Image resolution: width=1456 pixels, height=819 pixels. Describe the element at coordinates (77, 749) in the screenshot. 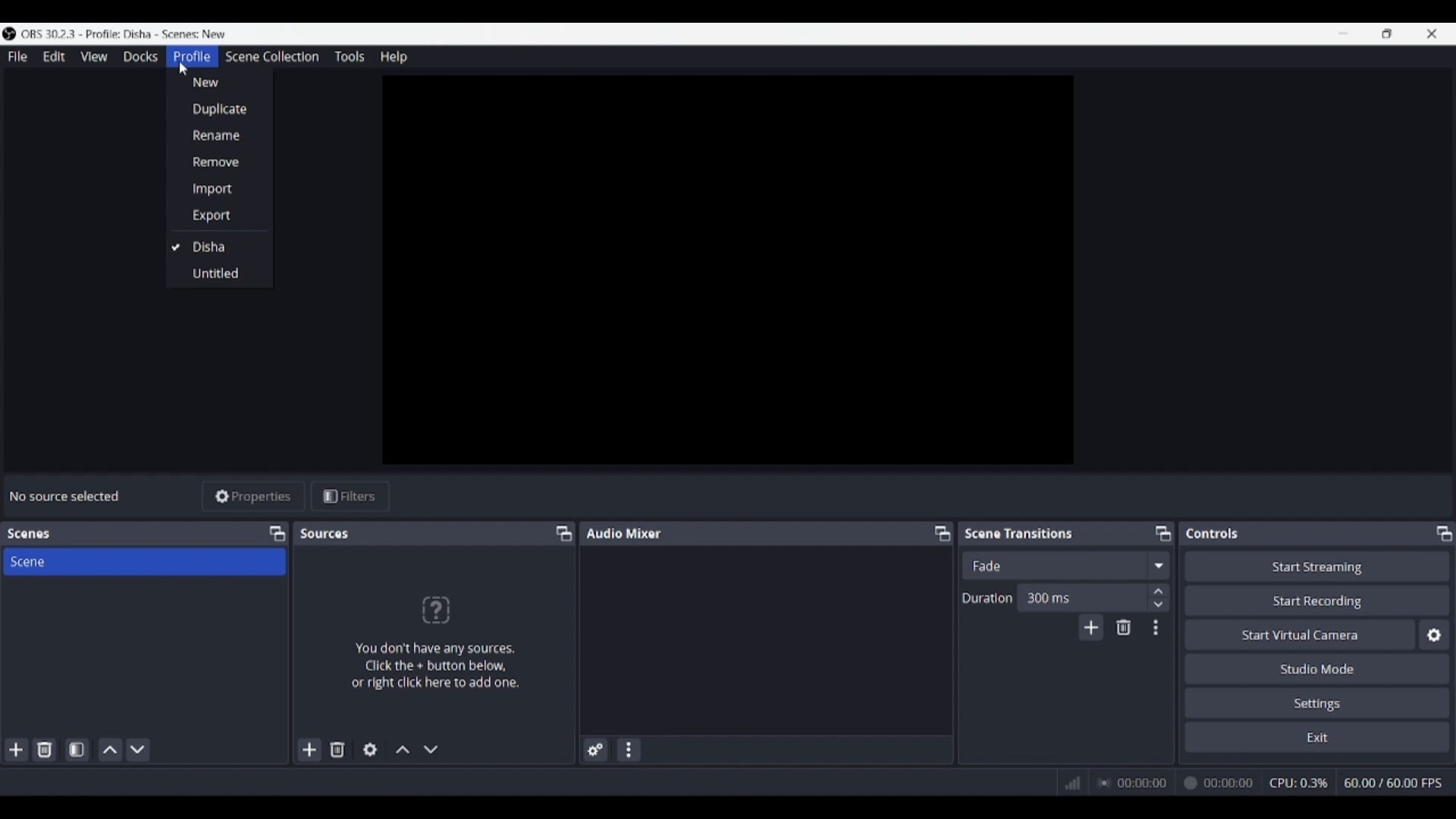

I see `Open scene filters` at that location.